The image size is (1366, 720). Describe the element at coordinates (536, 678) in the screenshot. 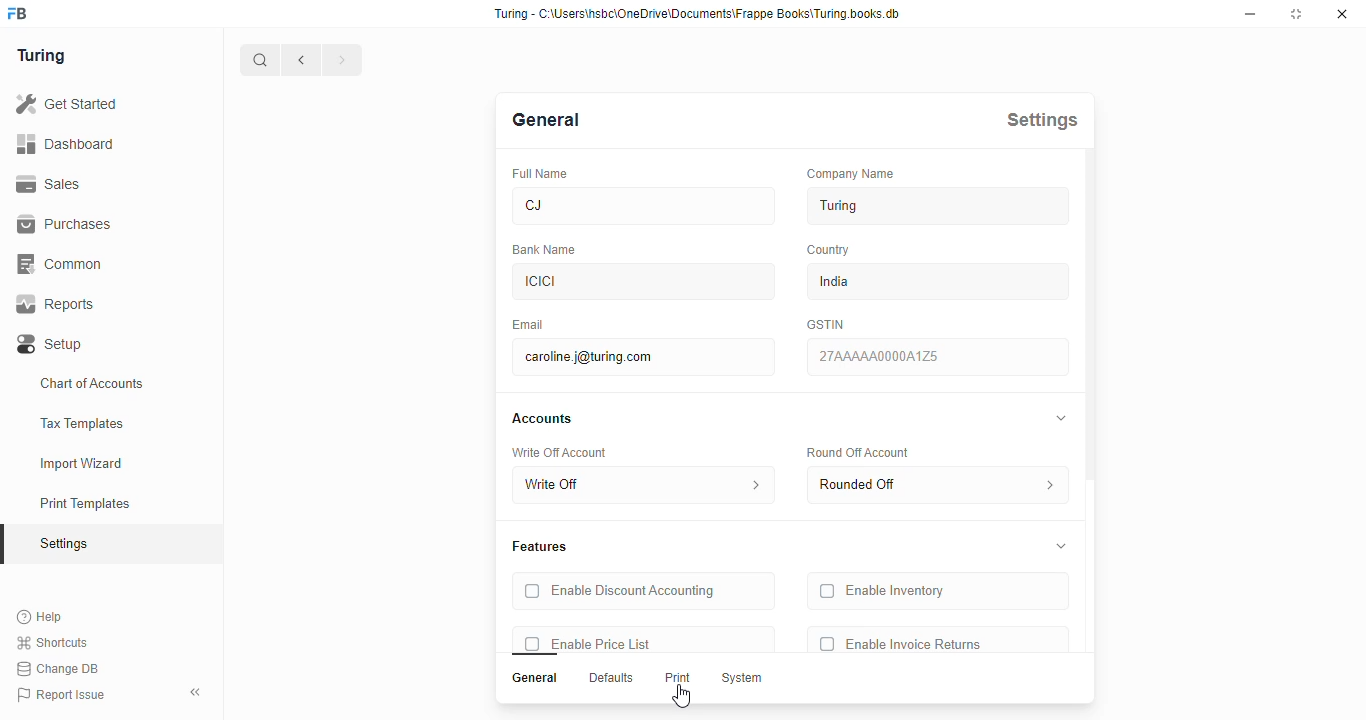

I see `General` at that location.